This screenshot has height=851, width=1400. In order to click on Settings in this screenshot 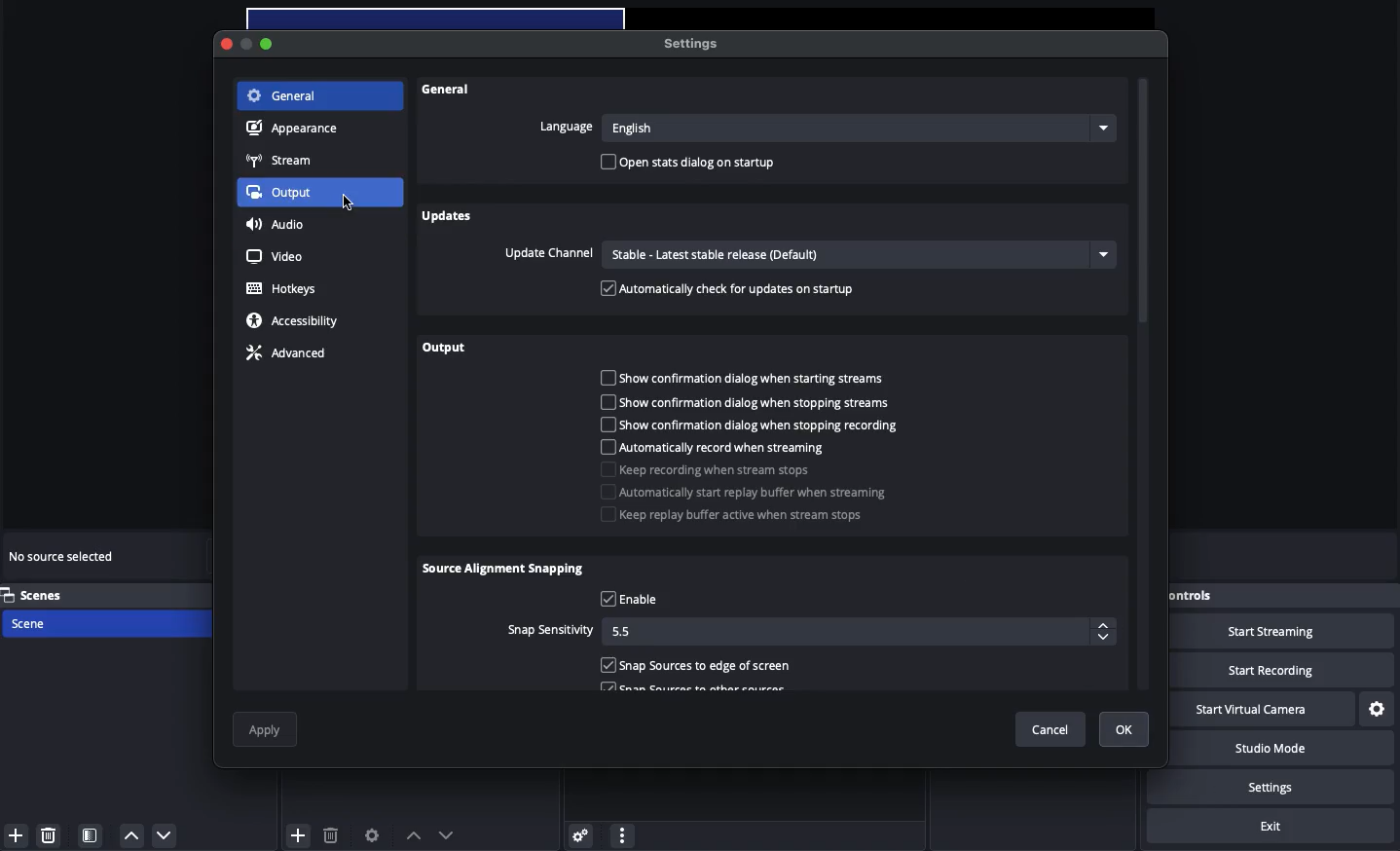, I will do `click(577, 834)`.